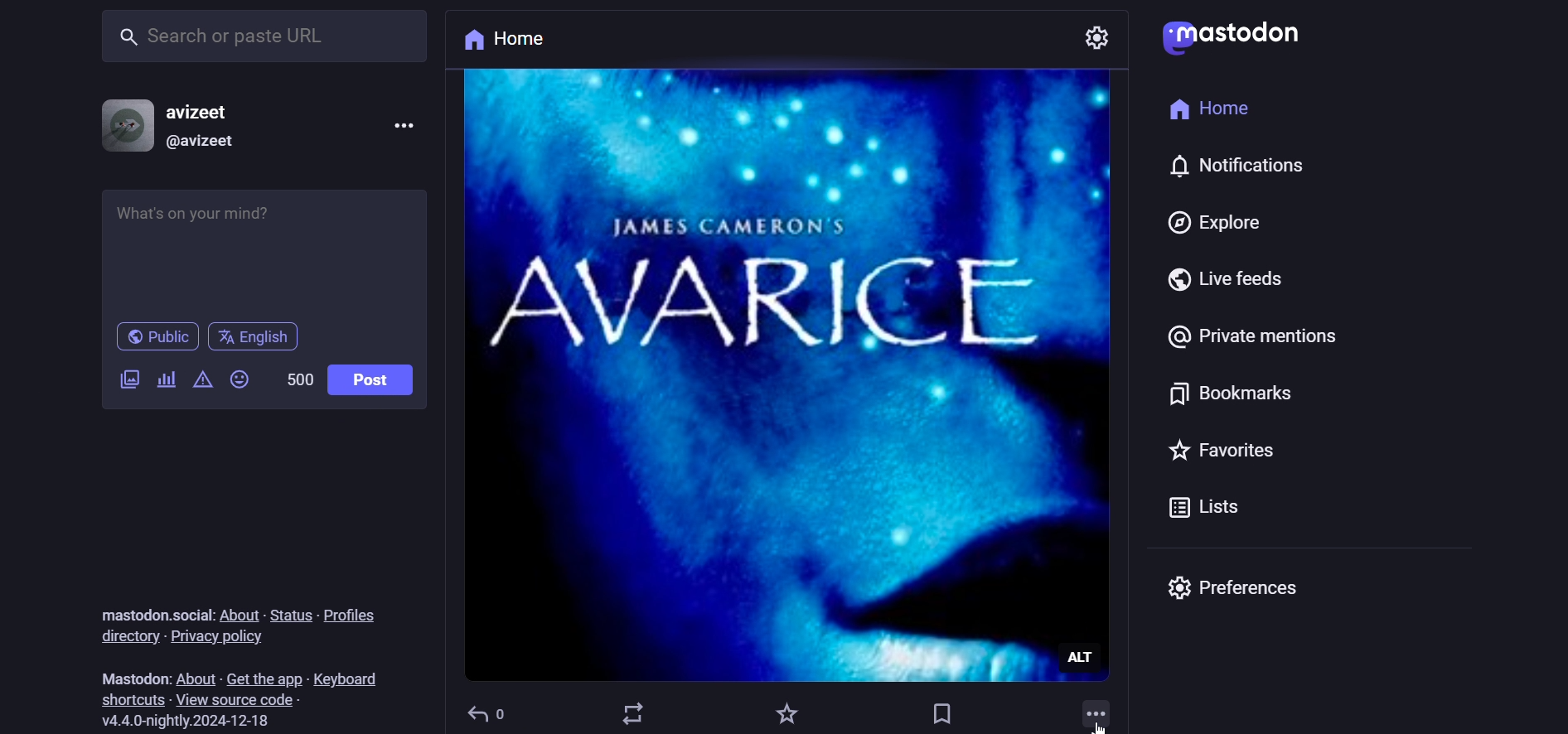 The height and width of the screenshot is (734, 1568). I want to click on mastodon, so click(133, 676).